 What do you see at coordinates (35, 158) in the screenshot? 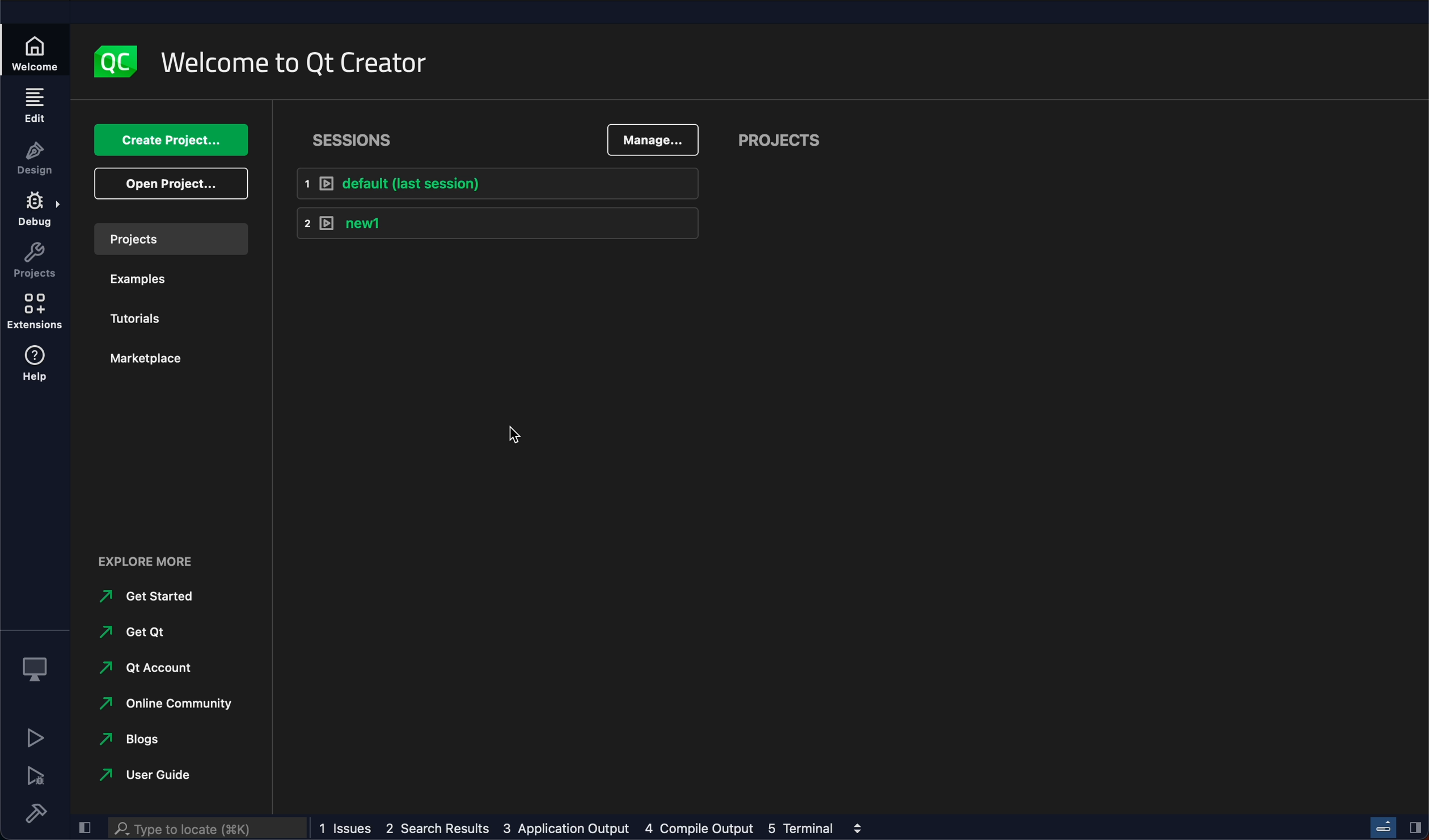
I see `design` at bounding box center [35, 158].